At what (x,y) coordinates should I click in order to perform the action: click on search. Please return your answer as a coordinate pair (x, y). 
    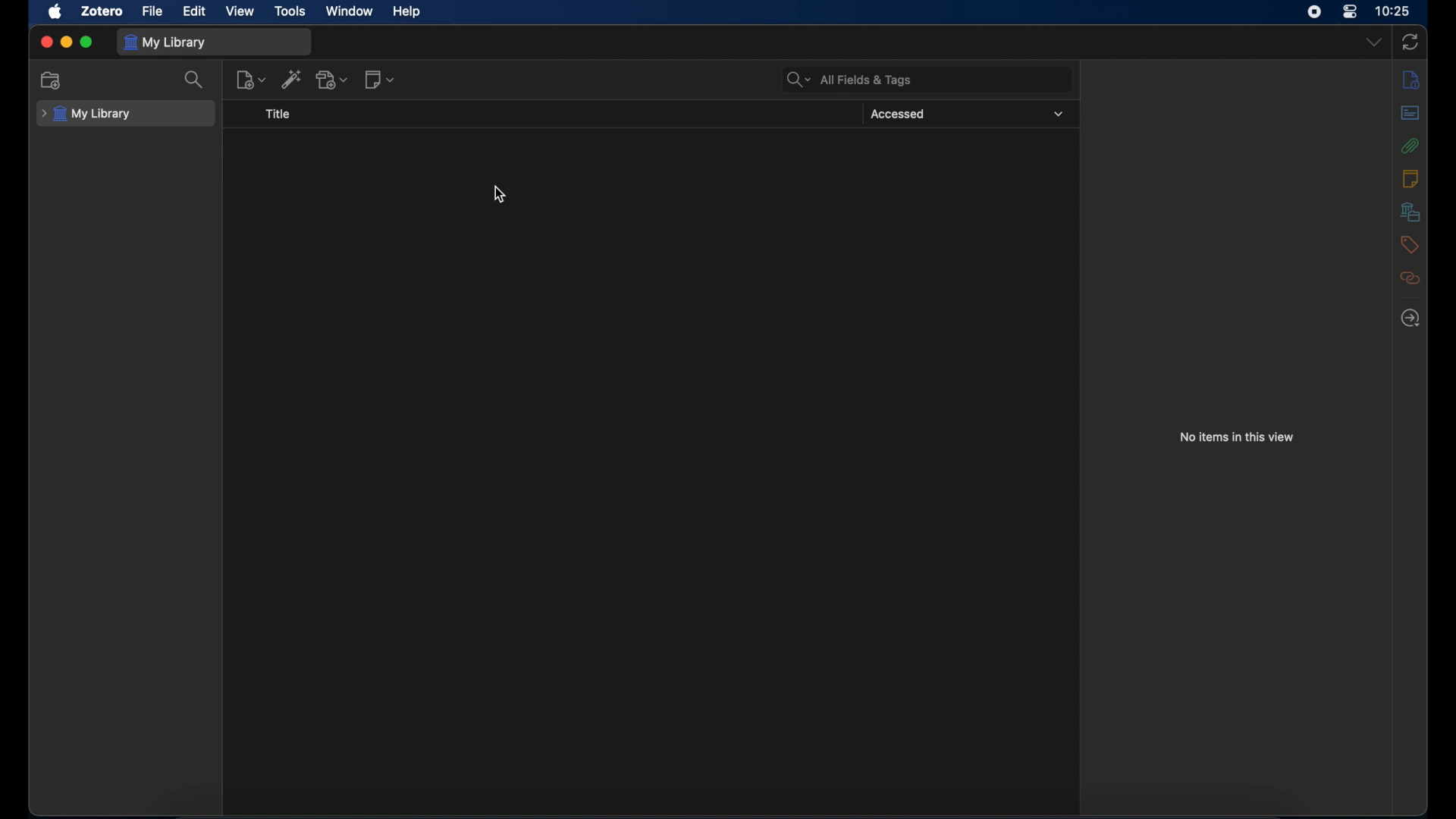
    Looking at the image, I should click on (193, 80).